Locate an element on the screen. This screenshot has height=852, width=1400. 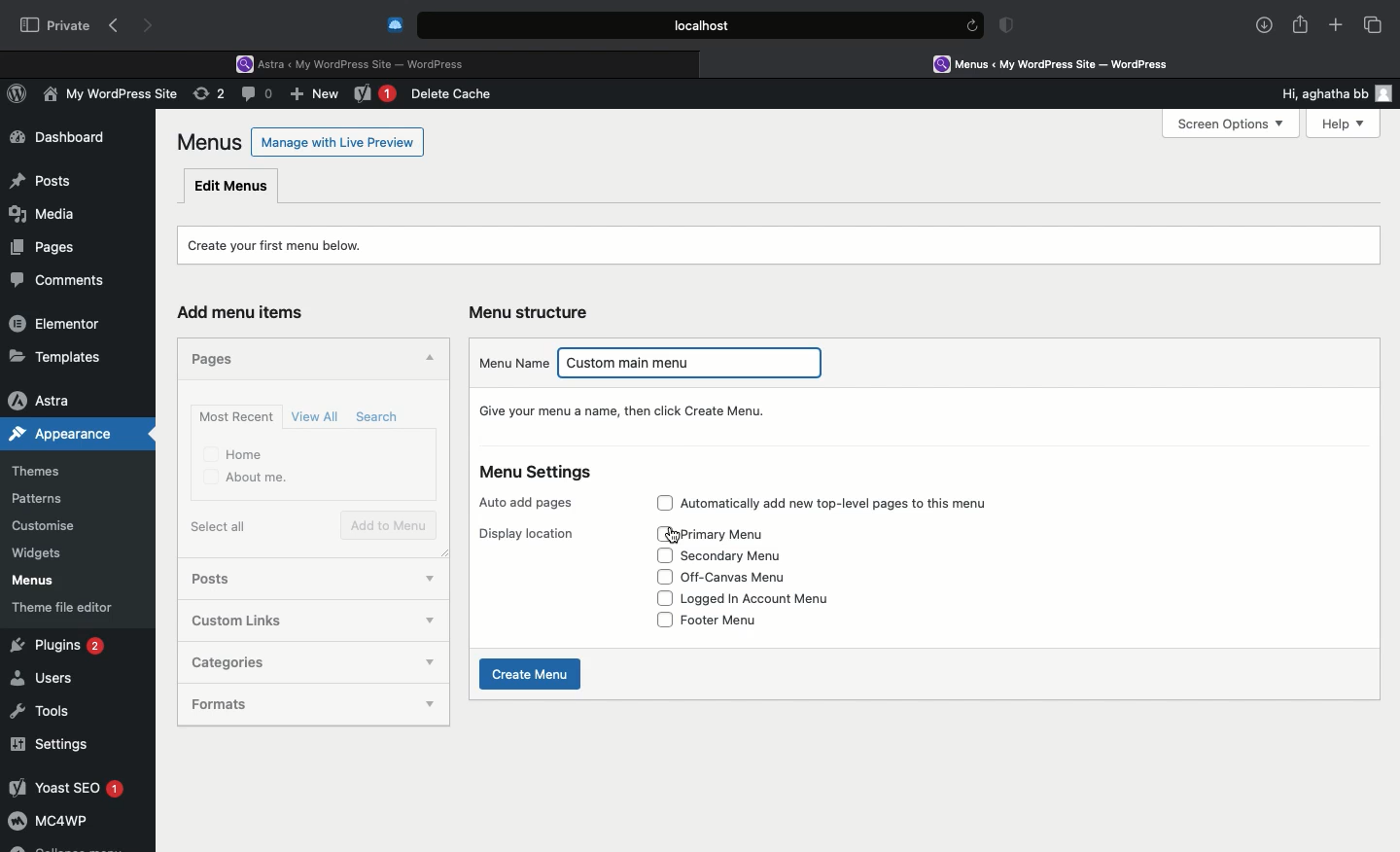
Themes is located at coordinates (50, 472).